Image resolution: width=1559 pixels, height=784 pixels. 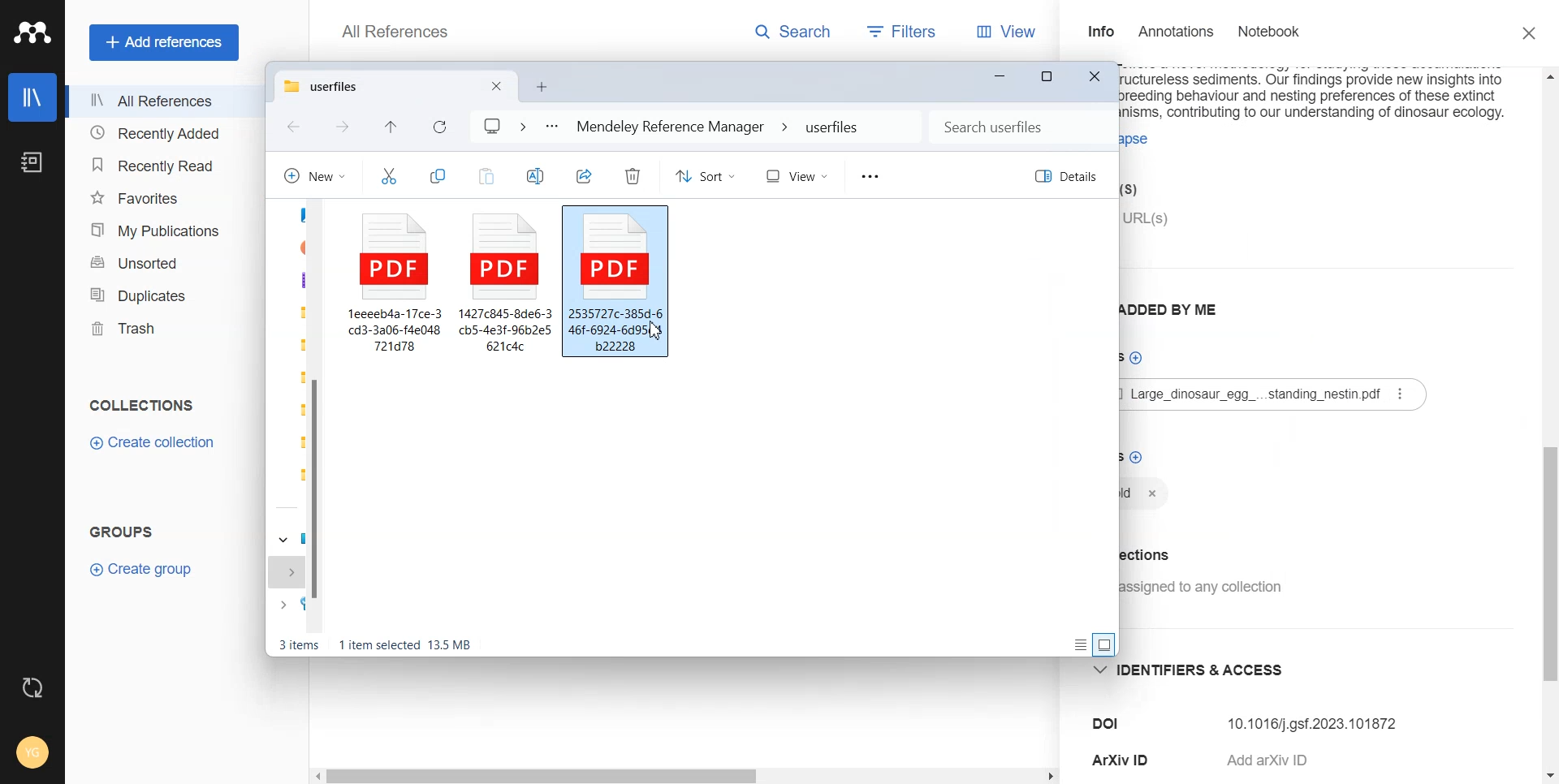 What do you see at coordinates (288, 588) in the screenshot?
I see `expand` at bounding box center [288, 588].